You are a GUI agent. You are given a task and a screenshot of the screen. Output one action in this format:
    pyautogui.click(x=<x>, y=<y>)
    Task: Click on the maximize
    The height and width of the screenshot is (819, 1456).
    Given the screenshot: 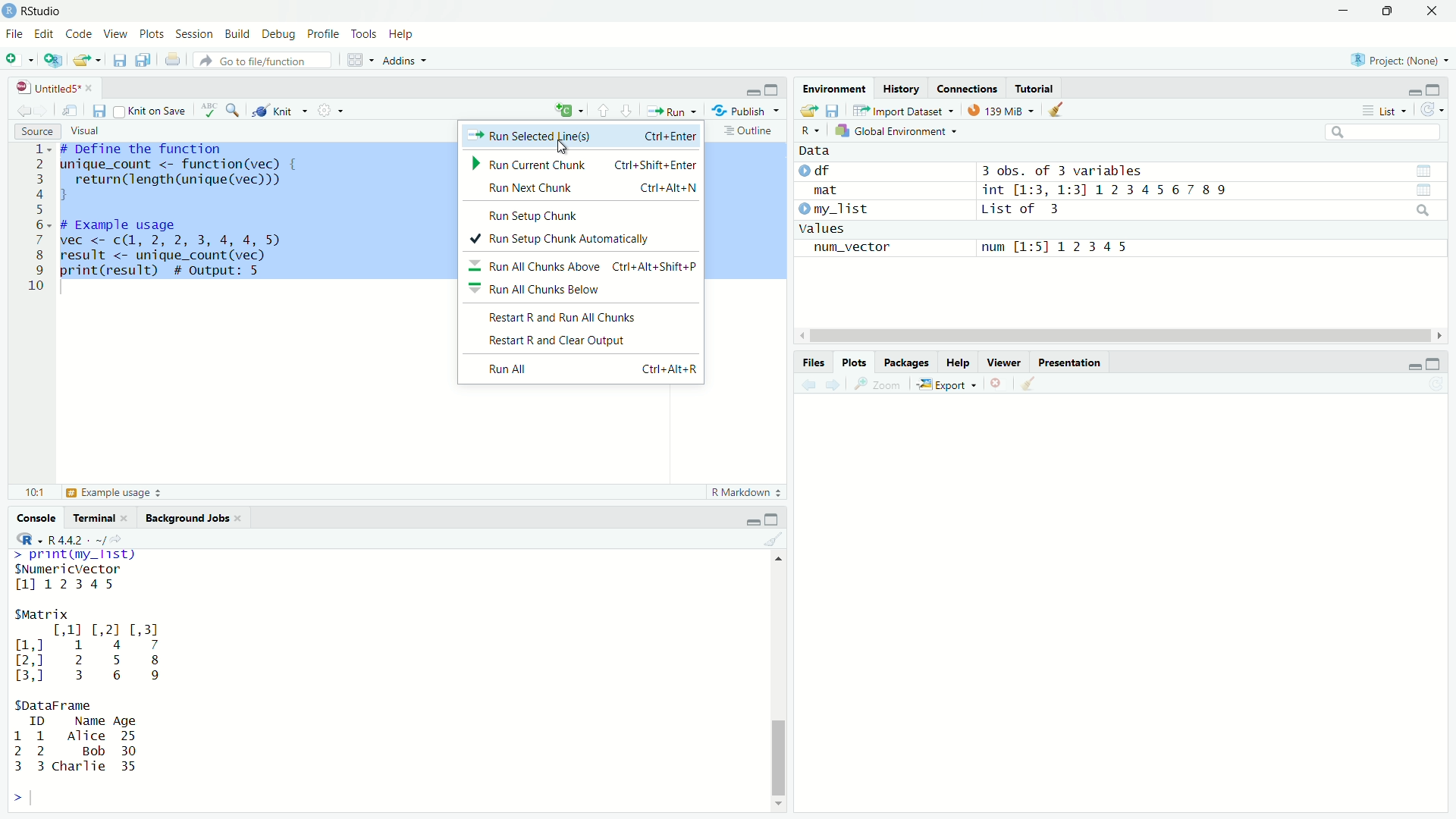 What is the action you would take?
    pyautogui.click(x=1389, y=11)
    